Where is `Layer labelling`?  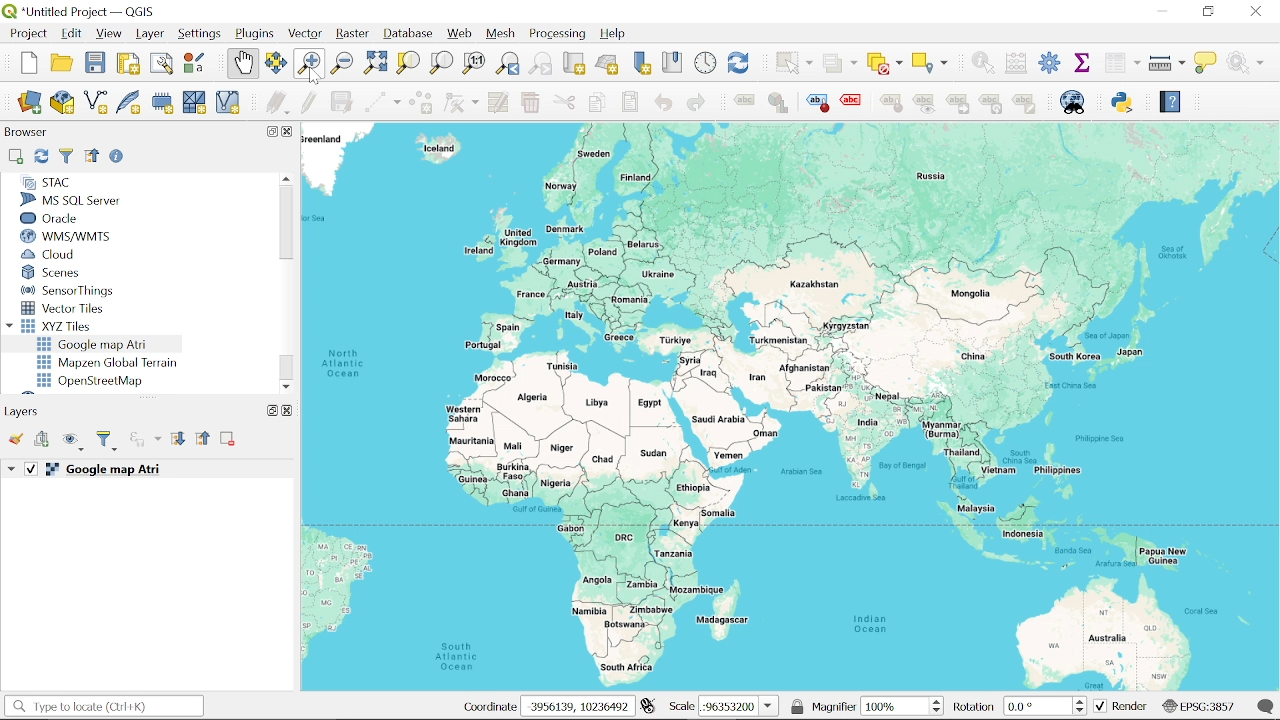
Layer labelling is located at coordinates (741, 103).